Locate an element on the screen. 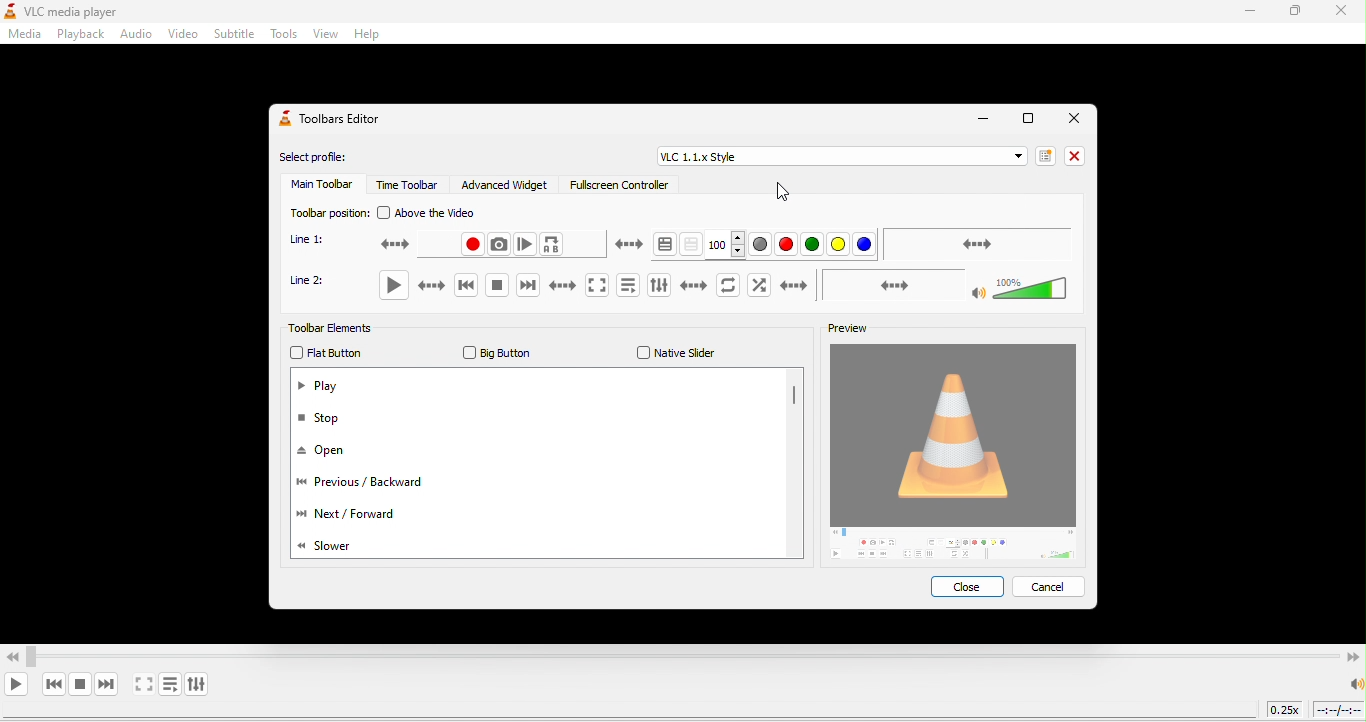  toggle playlist is located at coordinates (623, 285).